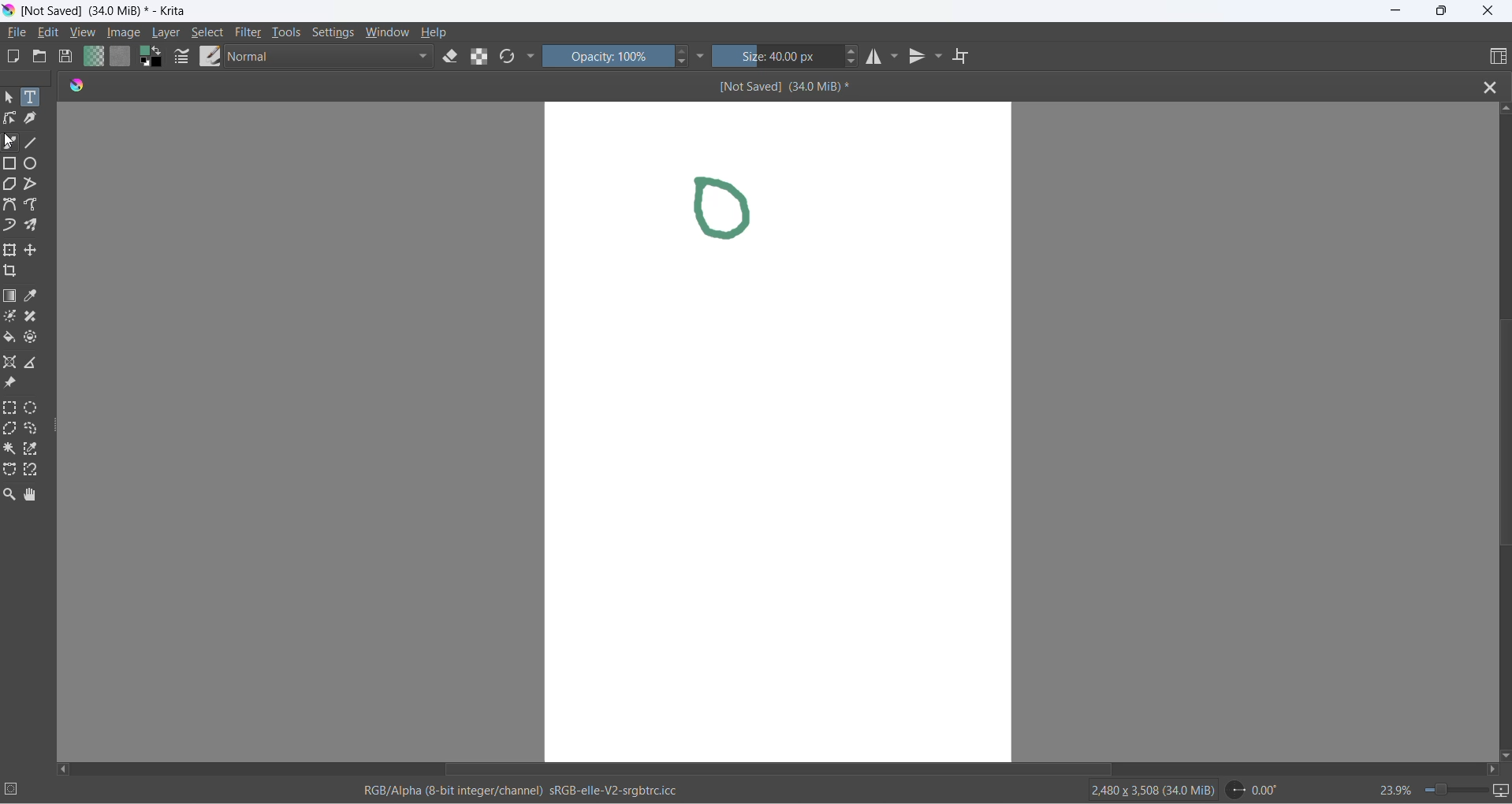 This screenshot has width=1512, height=804. I want to click on select, so click(210, 32).